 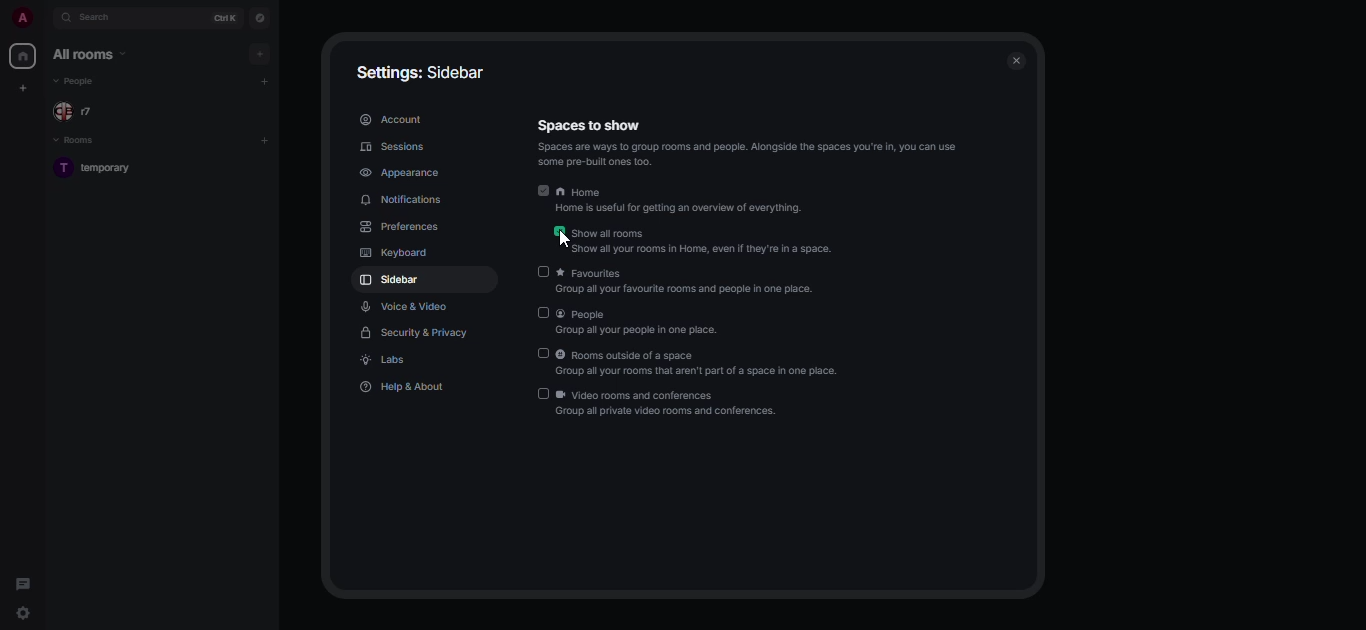 I want to click on help & about, so click(x=401, y=389).